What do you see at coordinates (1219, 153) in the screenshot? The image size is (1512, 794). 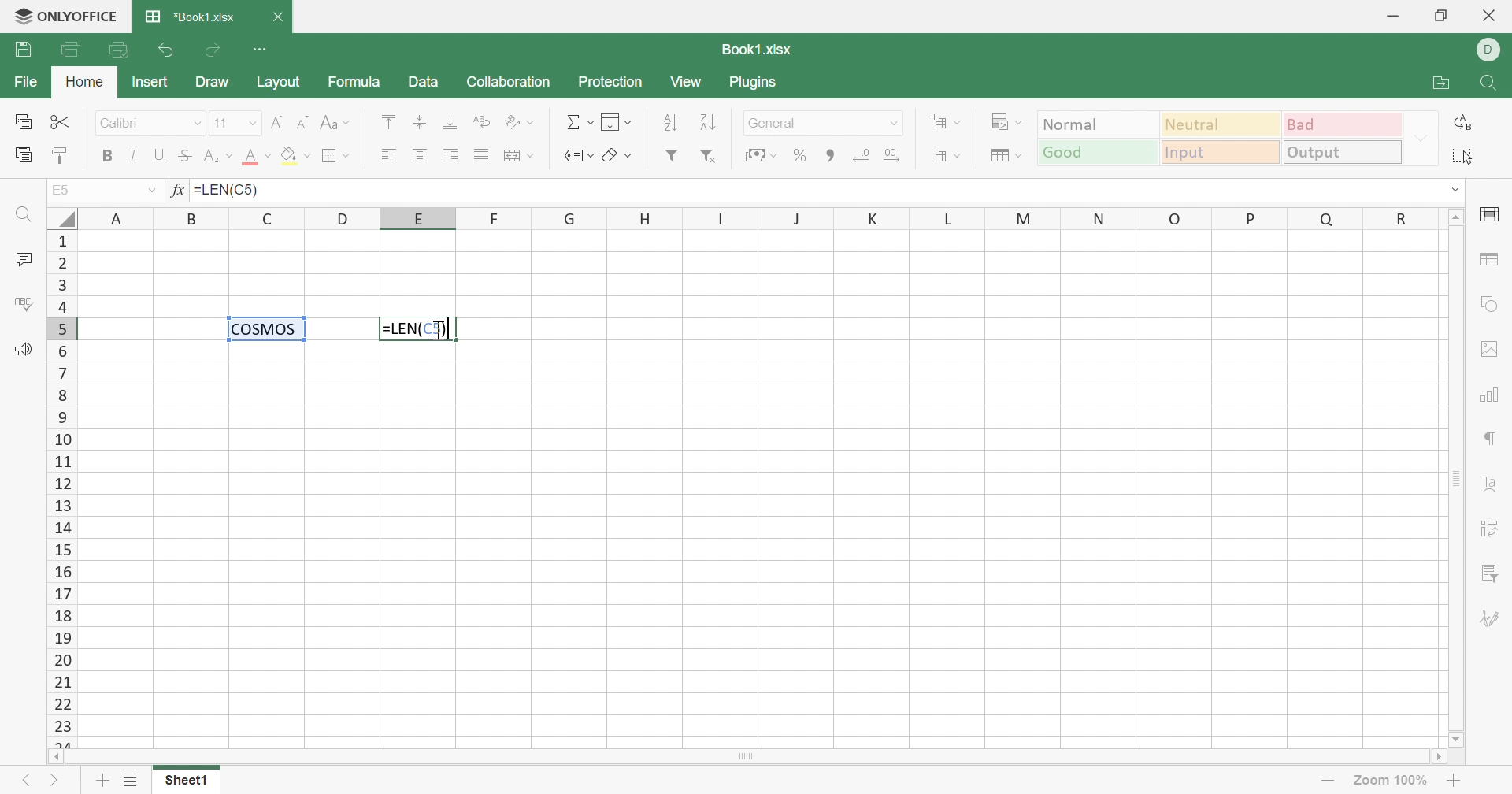 I see `Input` at bounding box center [1219, 153].